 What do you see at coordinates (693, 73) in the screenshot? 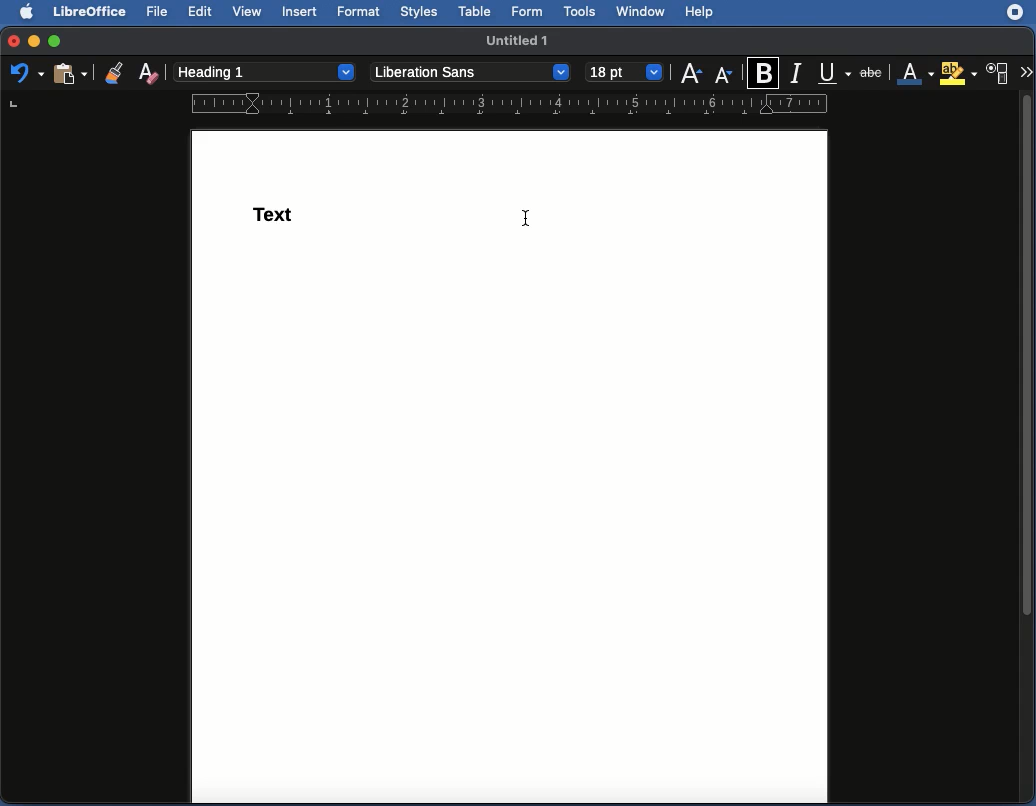
I see `Size increase` at bounding box center [693, 73].